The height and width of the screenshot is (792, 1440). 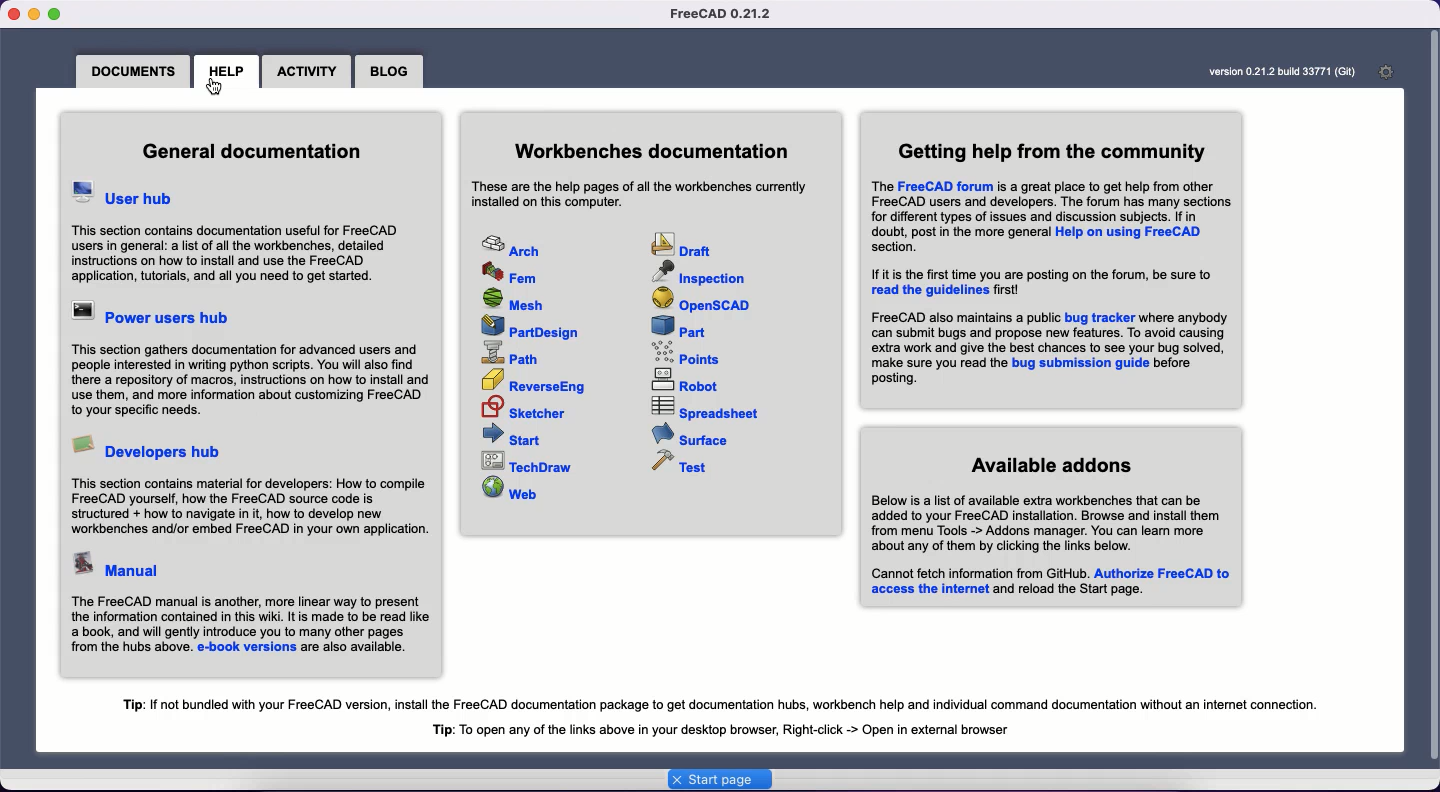 What do you see at coordinates (516, 300) in the screenshot?
I see `Mesh` at bounding box center [516, 300].